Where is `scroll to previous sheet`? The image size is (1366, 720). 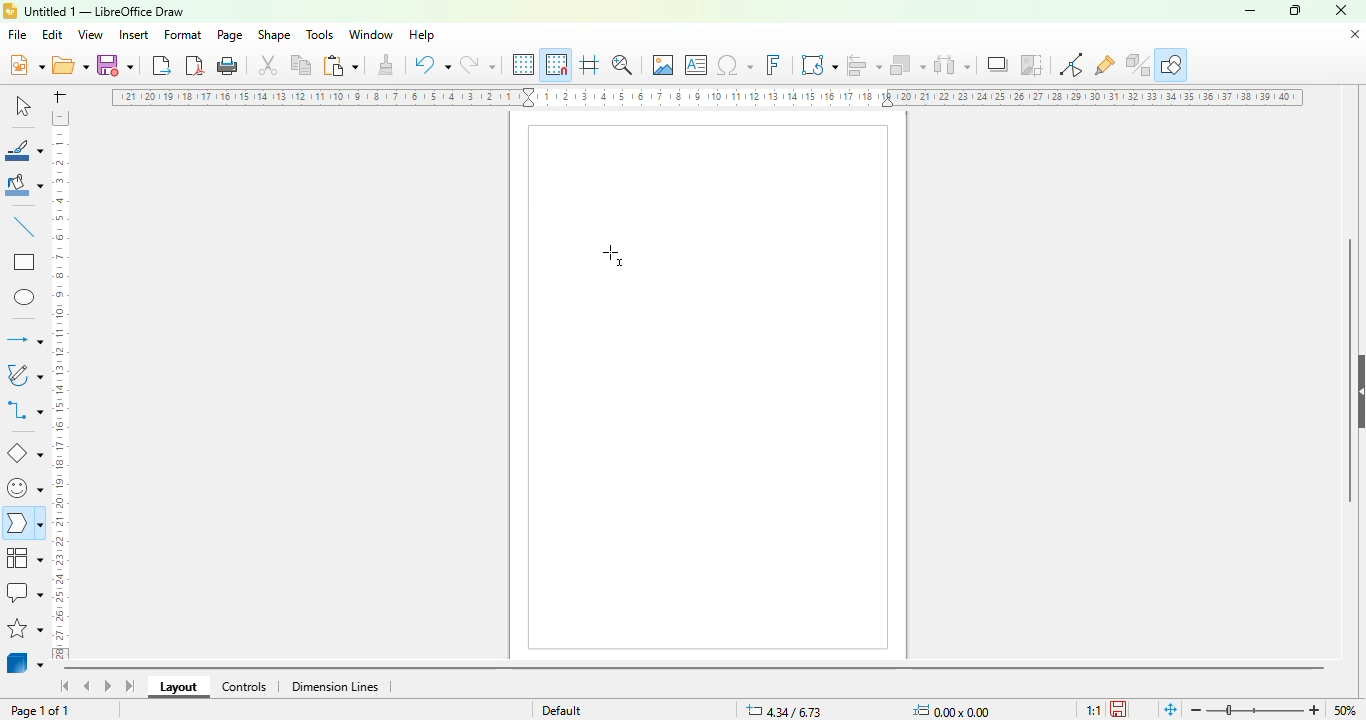
scroll to previous sheet is located at coordinates (87, 685).